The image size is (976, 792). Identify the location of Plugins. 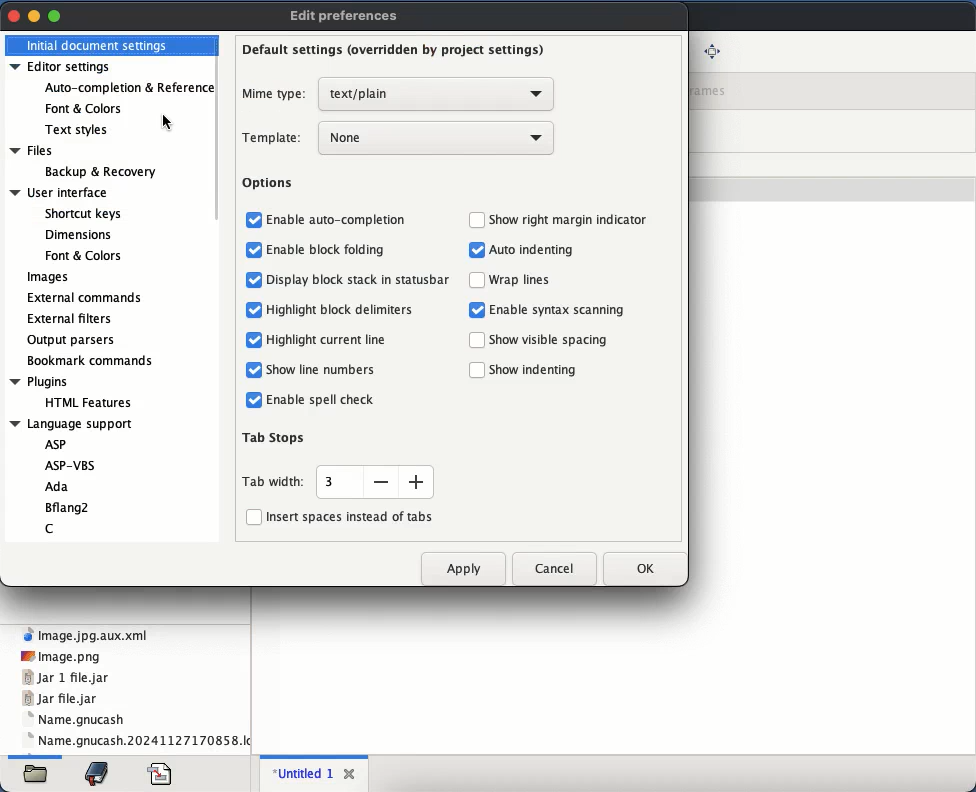
(40, 381).